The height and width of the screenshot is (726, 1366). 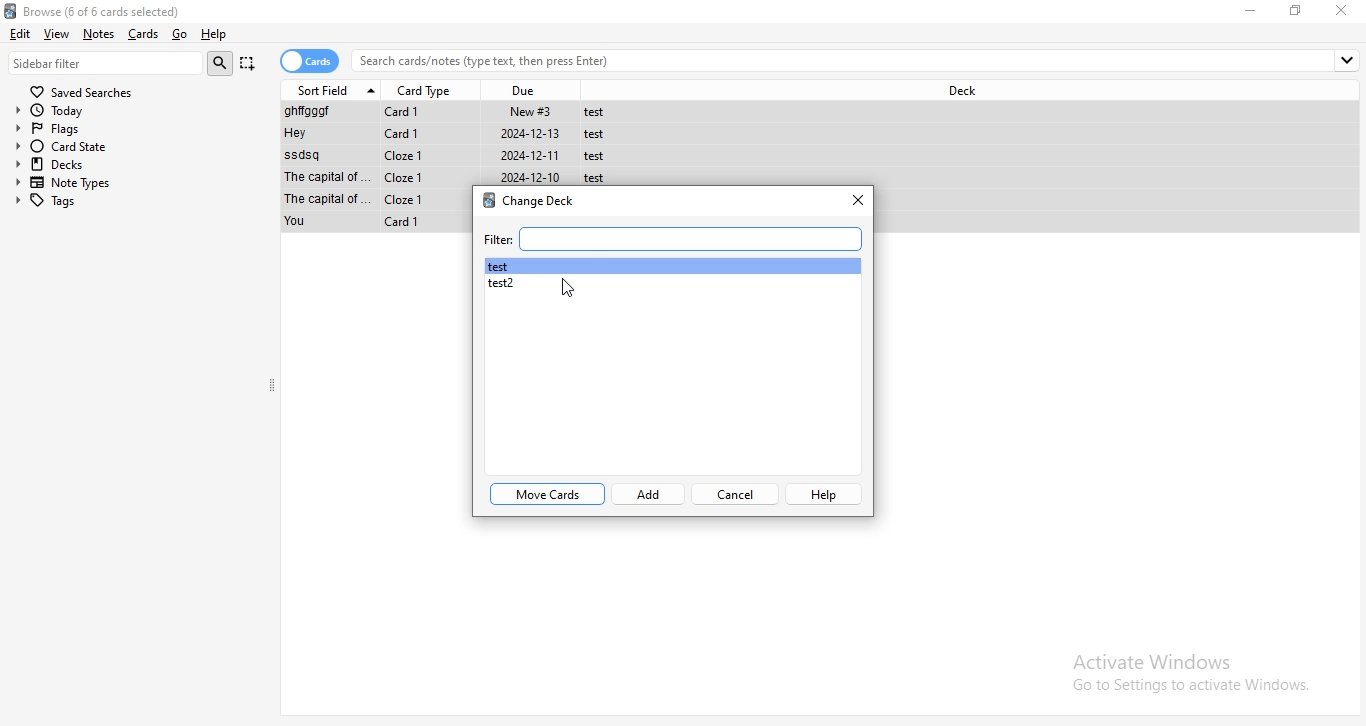 What do you see at coordinates (135, 202) in the screenshot?
I see `tags` at bounding box center [135, 202].